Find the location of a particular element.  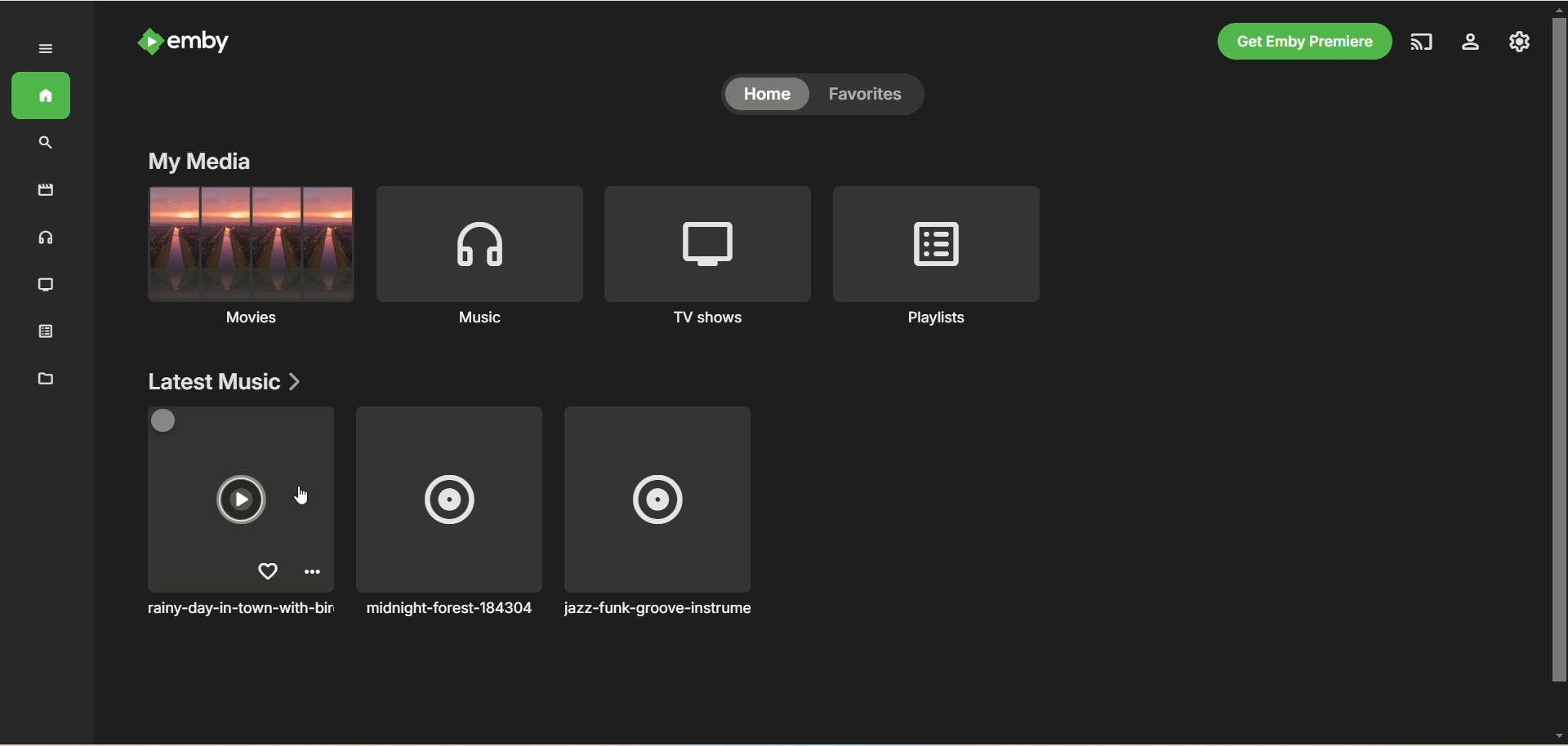

favorites is located at coordinates (869, 95).